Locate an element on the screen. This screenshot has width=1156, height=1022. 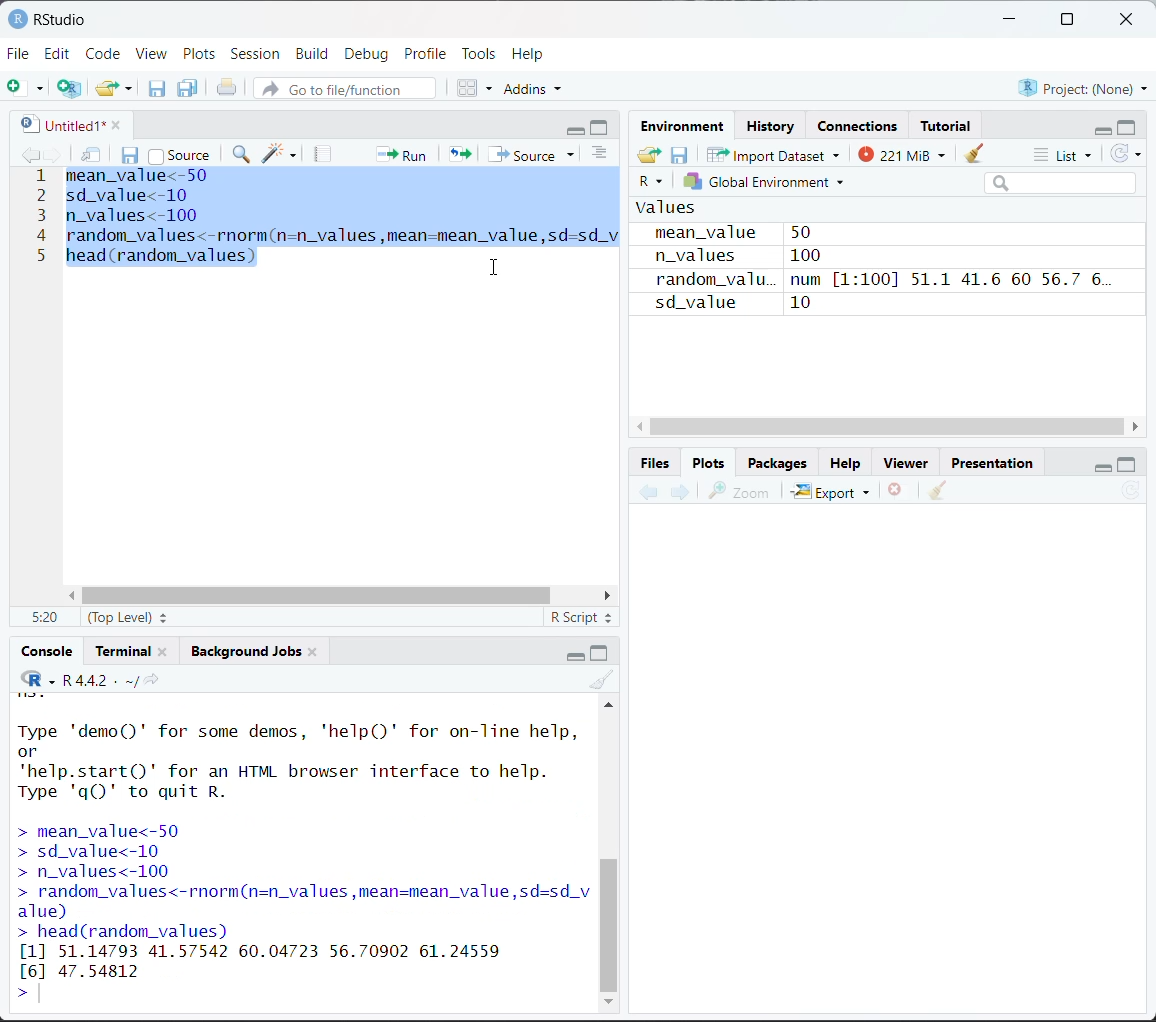
close is located at coordinates (163, 650).